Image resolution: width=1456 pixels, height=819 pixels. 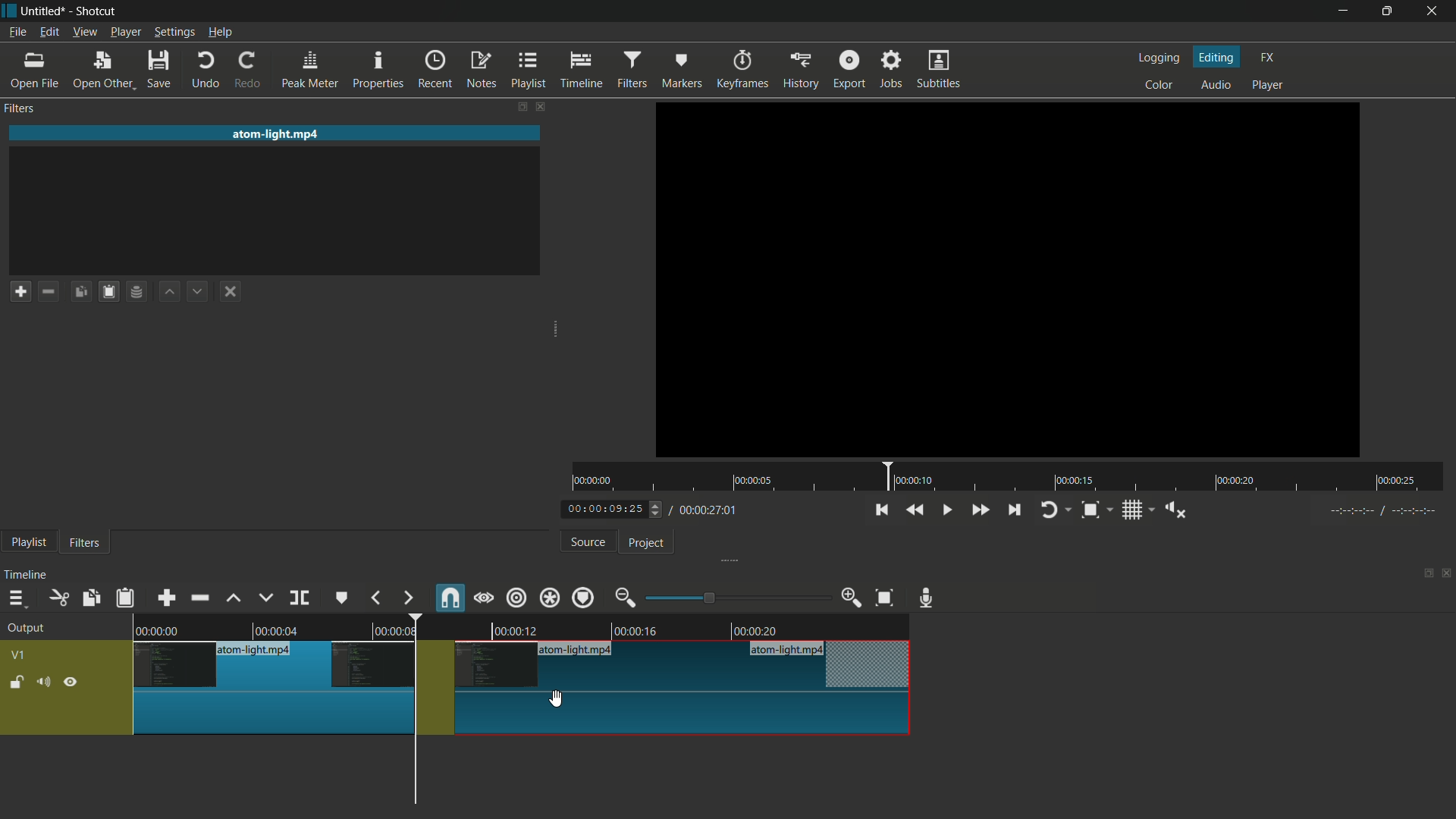 What do you see at coordinates (127, 598) in the screenshot?
I see `paste filters` at bounding box center [127, 598].